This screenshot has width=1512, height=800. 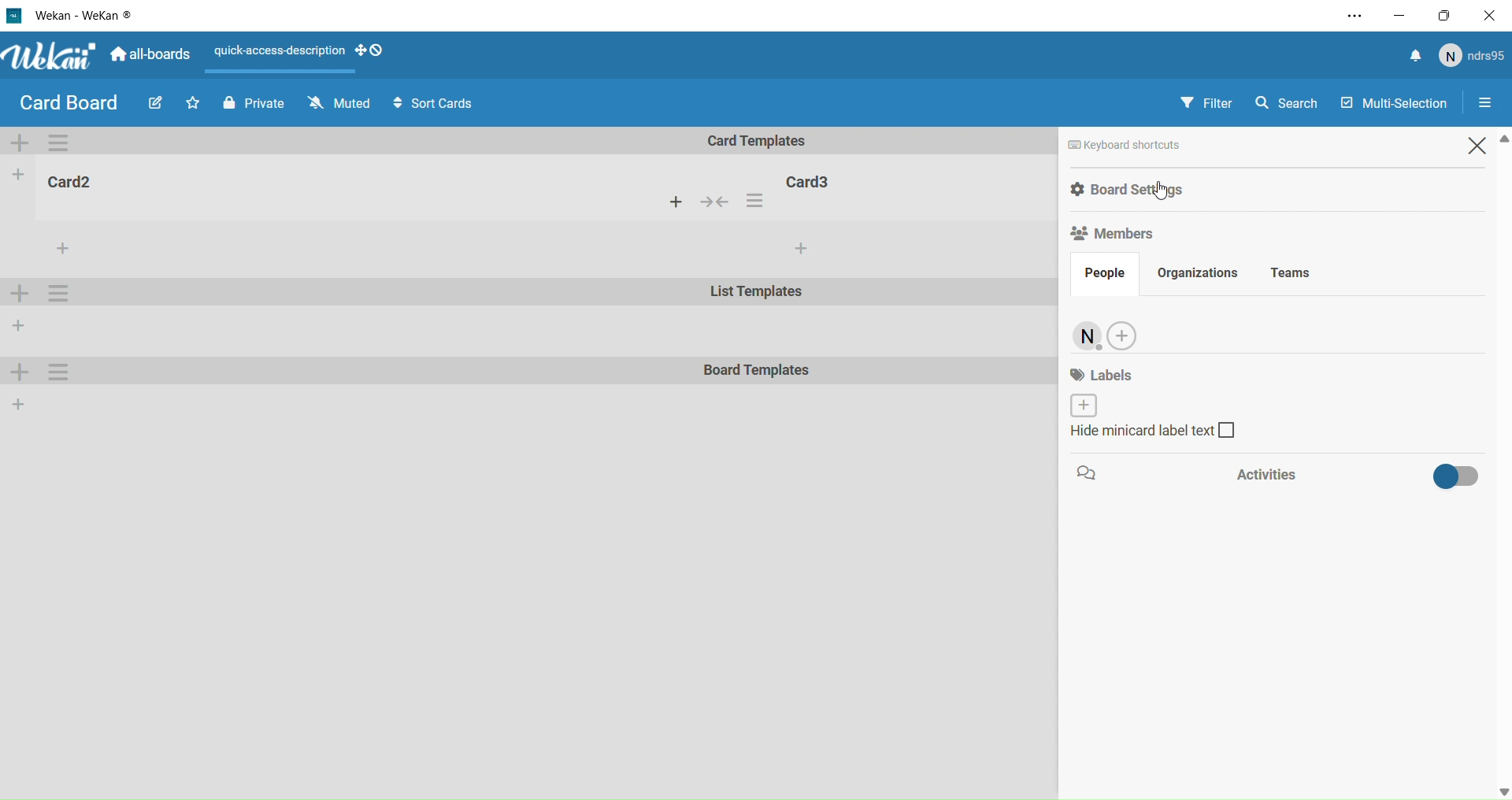 I want to click on Teams, so click(x=1310, y=274).